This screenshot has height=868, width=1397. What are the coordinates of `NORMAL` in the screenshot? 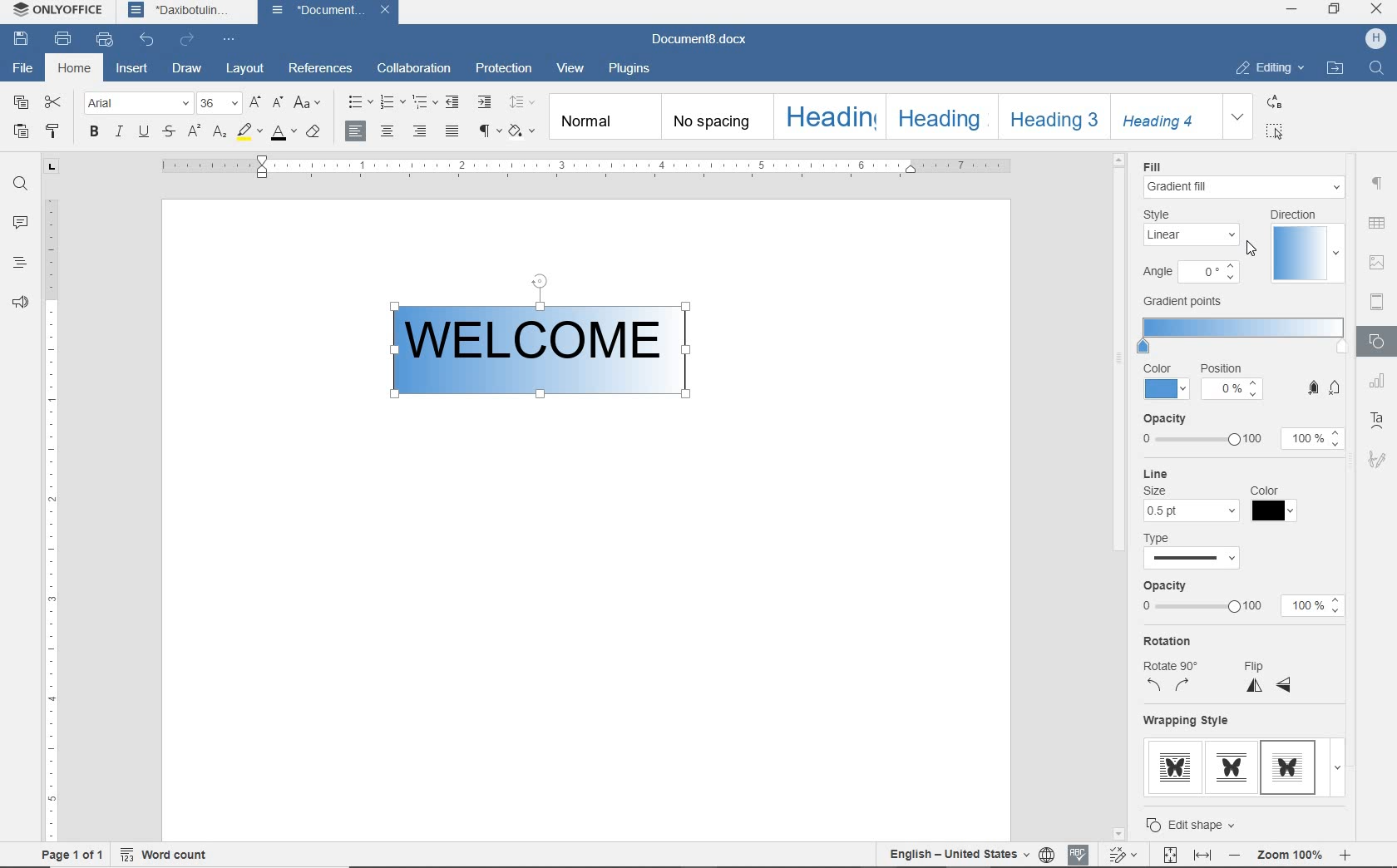 It's located at (606, 116).